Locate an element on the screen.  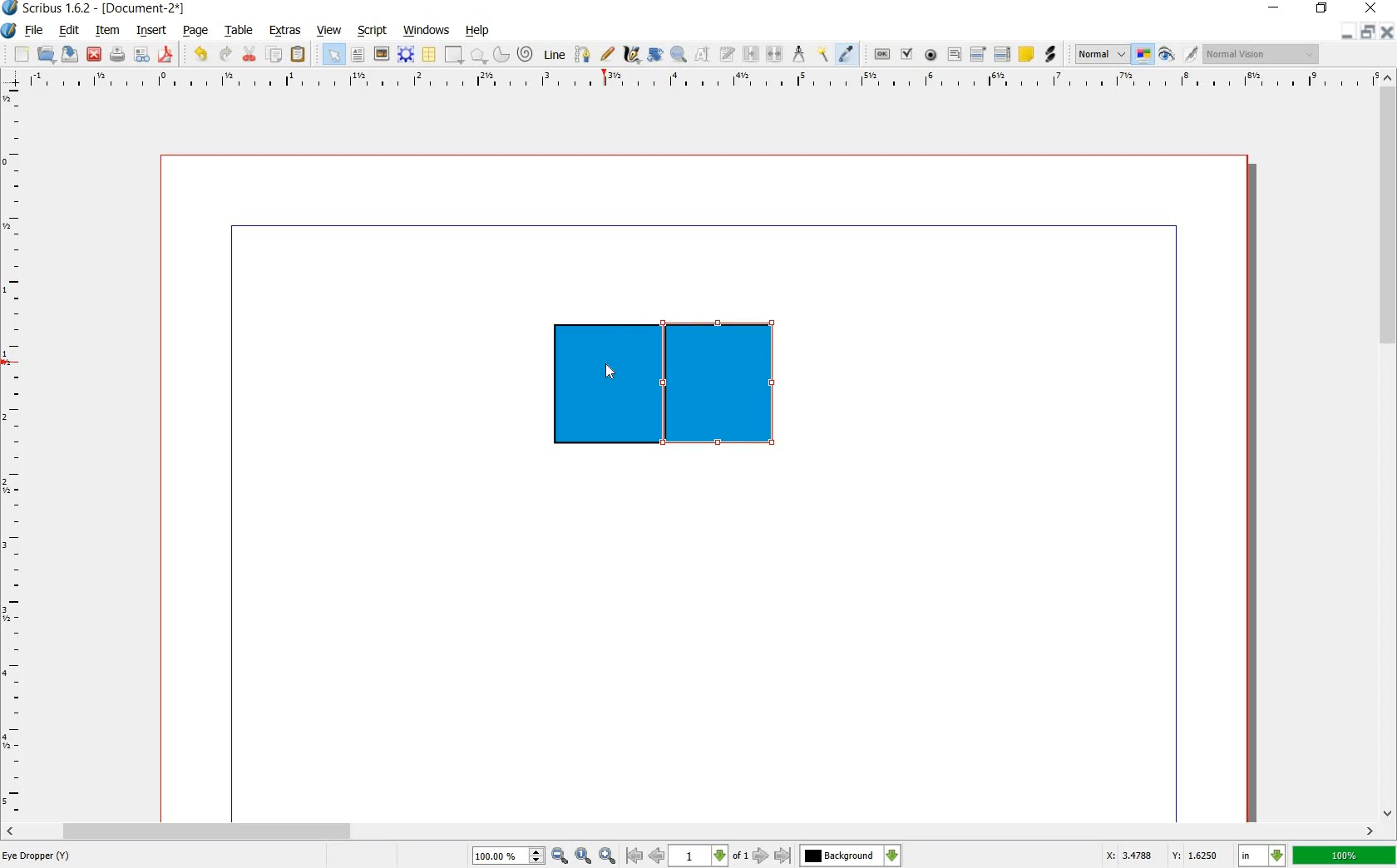
save is located at coordinates (69, 55).